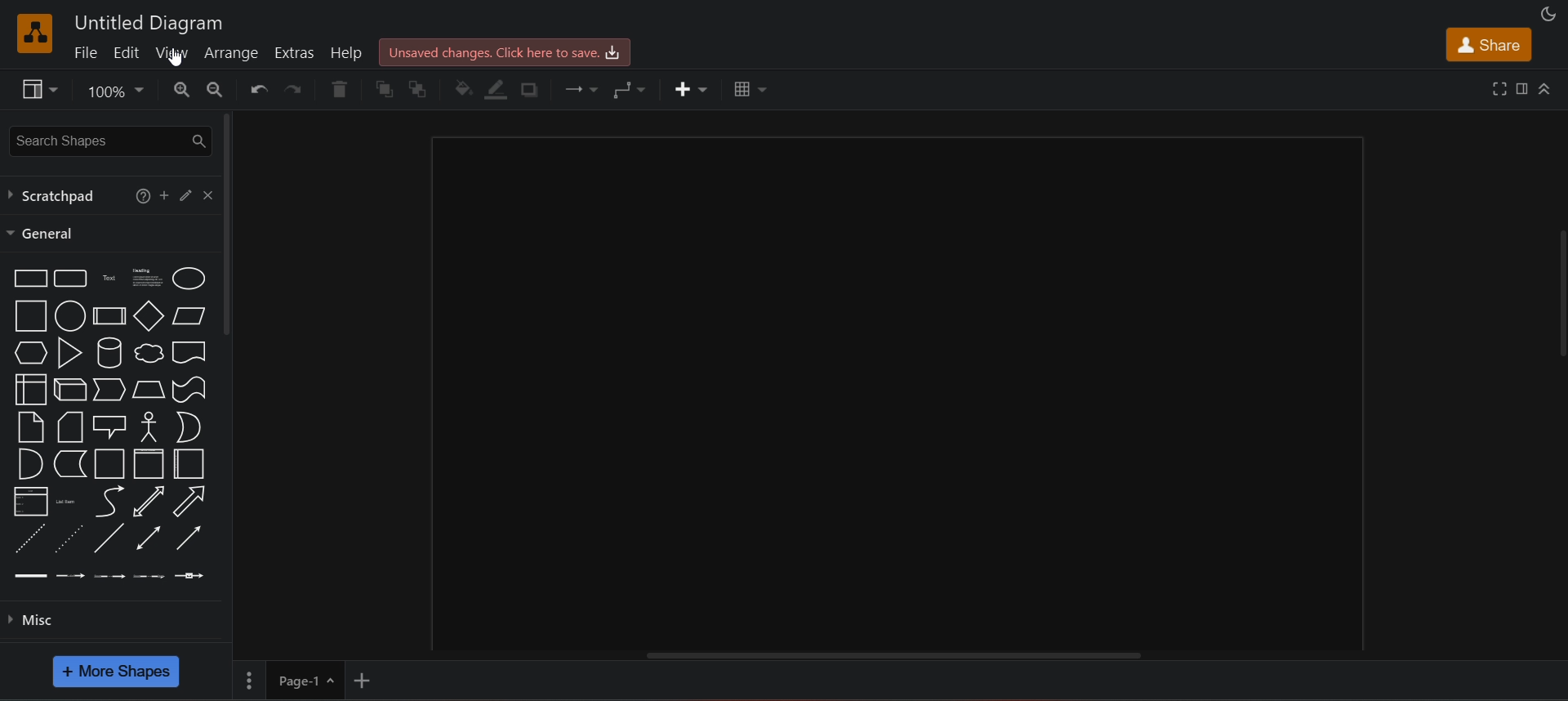 The image size is (1568, 701). What do you see at coordinates (382, 89) in the screenshot?
I see `to front` at bounding box center [382, 89].